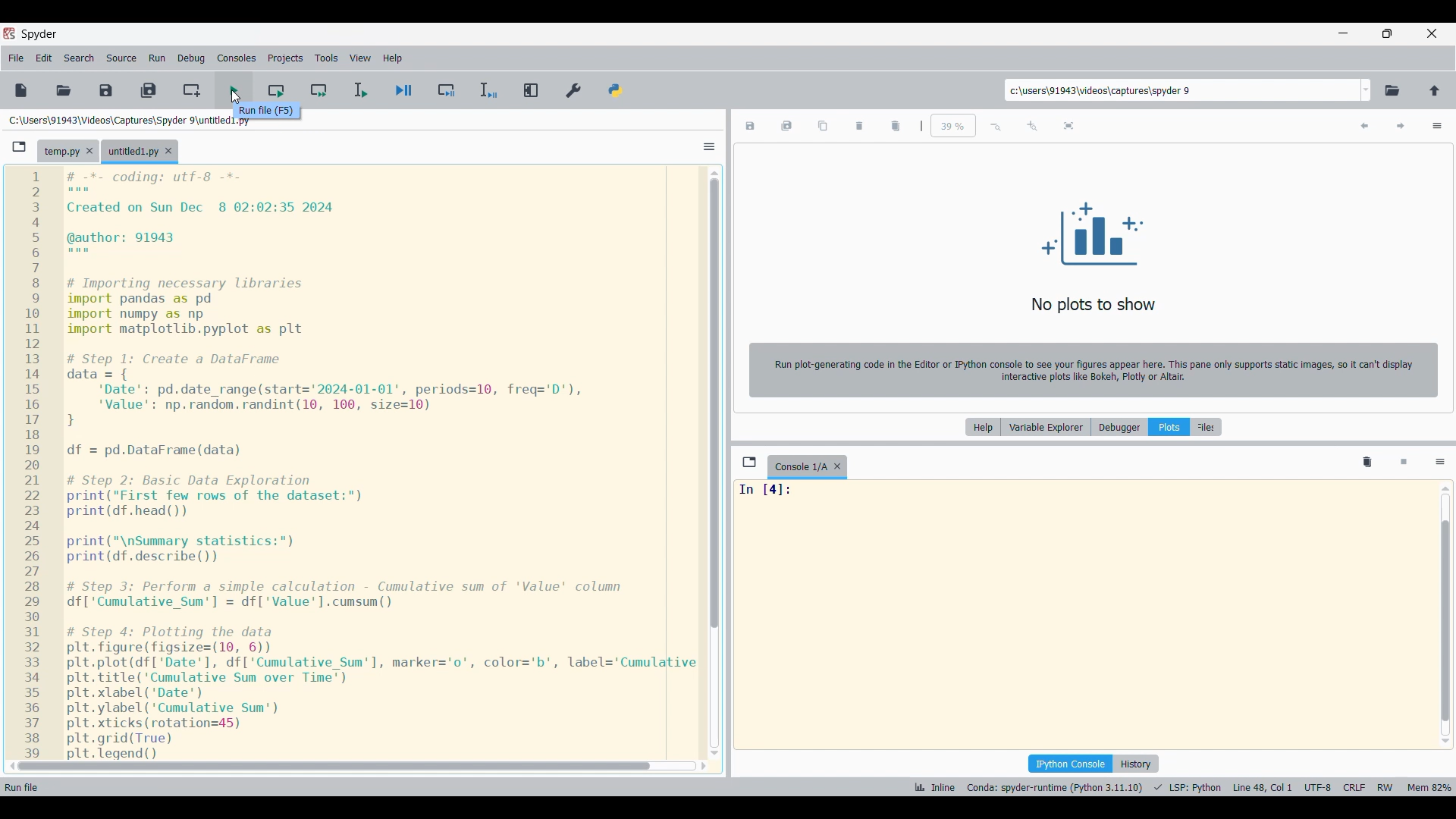  Describe the element at coordinates (1432, 33) in the screenshot. I see `Close interface` at that location.